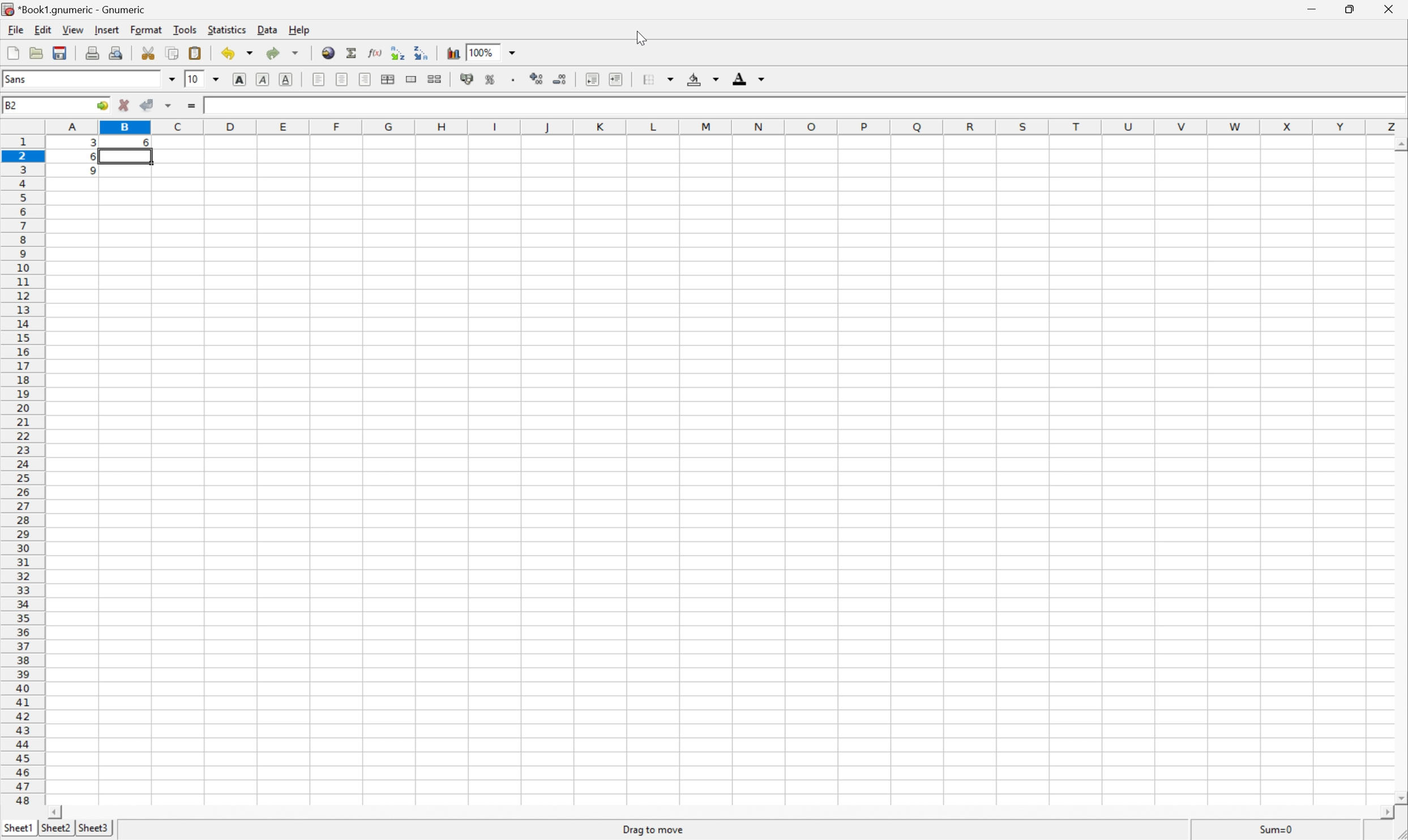  I want to click on Sort the selected region in descending order based on the first column selected, so click(396, 52).